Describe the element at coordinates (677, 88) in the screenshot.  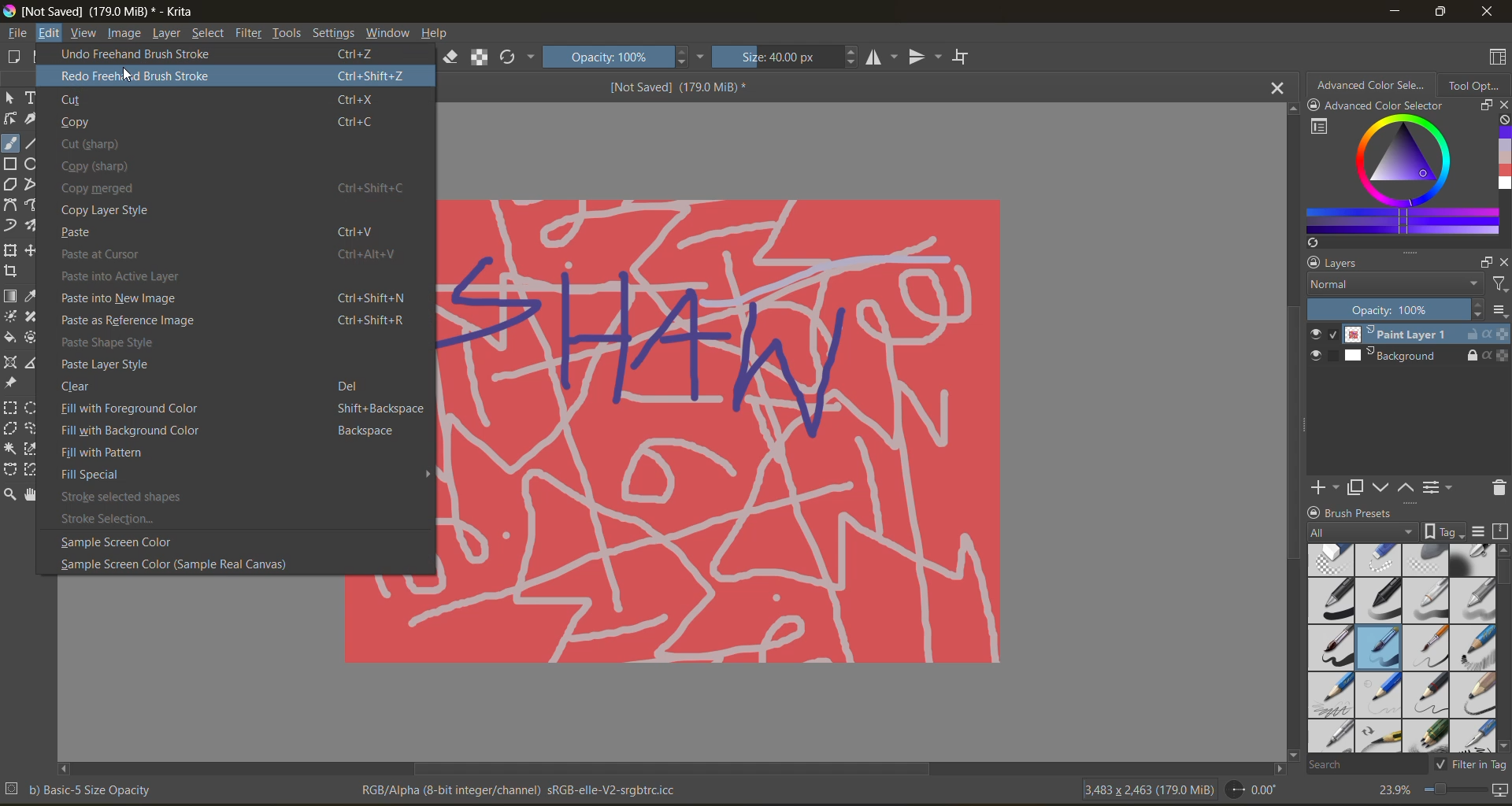
I see `[Not Saved] (179.0 MiB) *` at that location.